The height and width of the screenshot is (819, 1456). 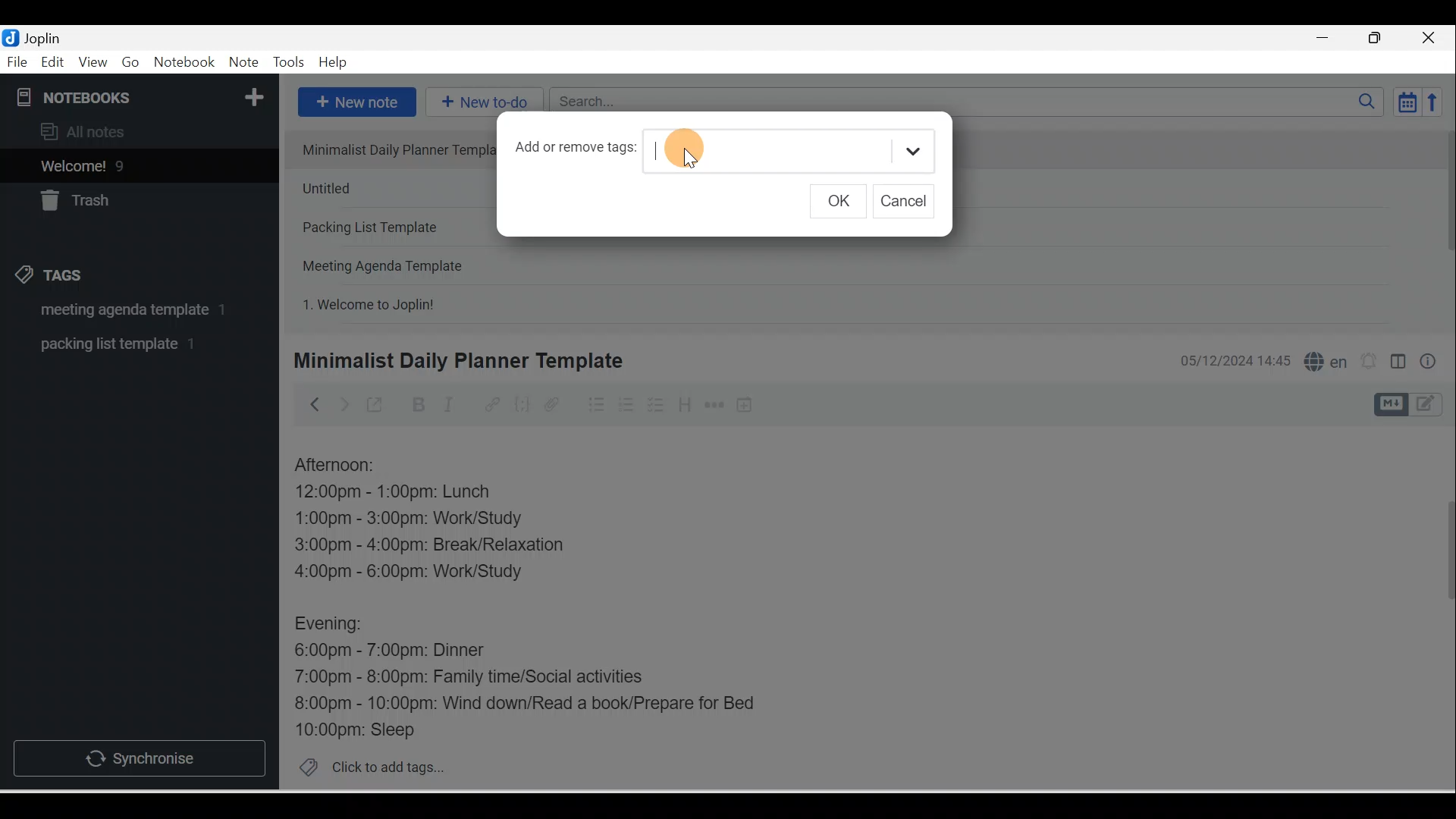 What do you see at coordinates (389, 228) in the screenshot?
I see `Note 3` at bounding box center [389, 228].